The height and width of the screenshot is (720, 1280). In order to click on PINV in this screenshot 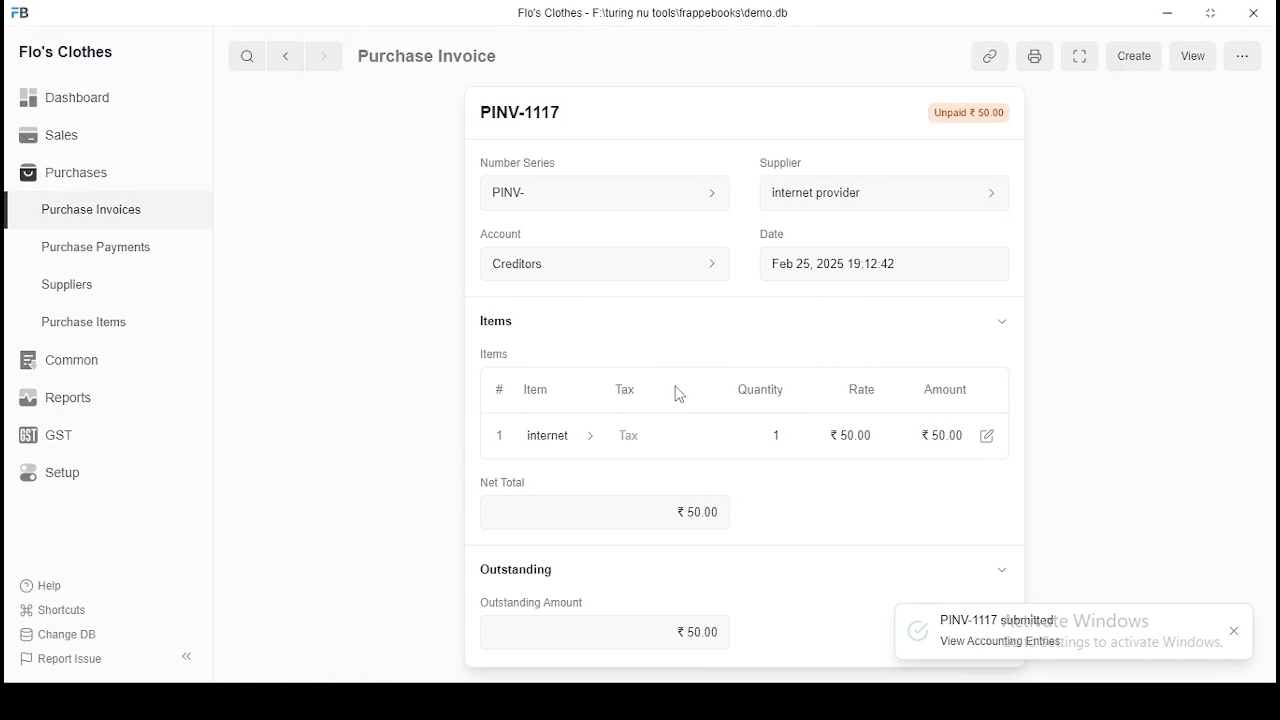, I will do `click(604, 193)`.